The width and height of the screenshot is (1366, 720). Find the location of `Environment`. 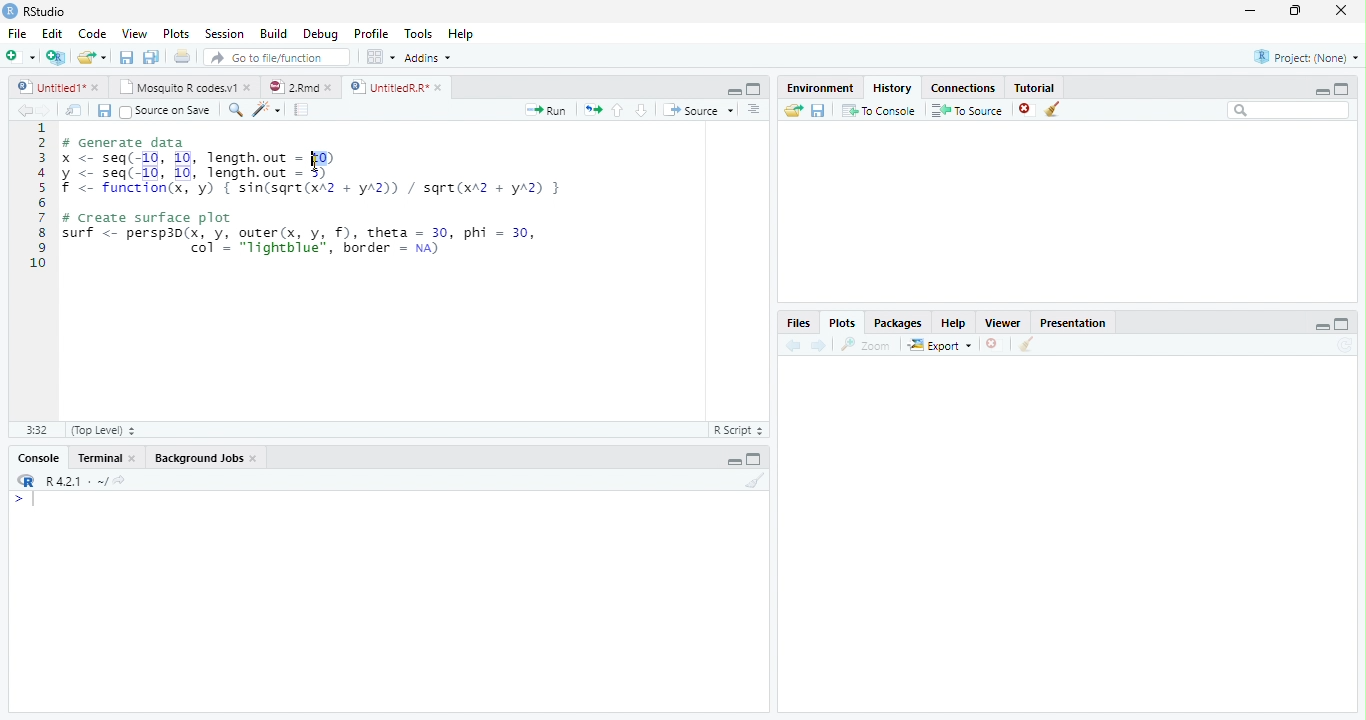

Environment is located at coordinates (820, 88).